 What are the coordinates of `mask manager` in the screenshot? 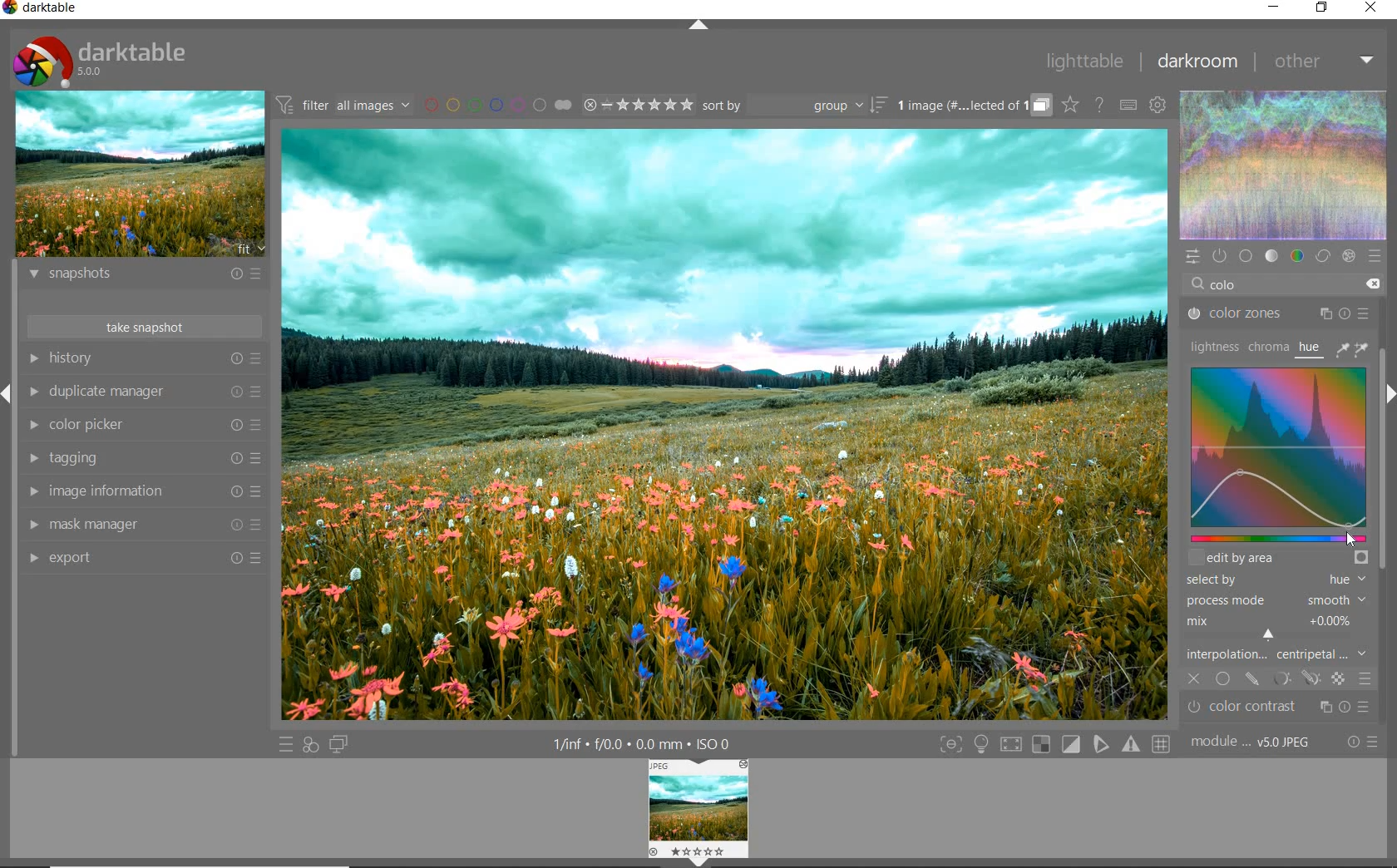 It's located at (143, 523).